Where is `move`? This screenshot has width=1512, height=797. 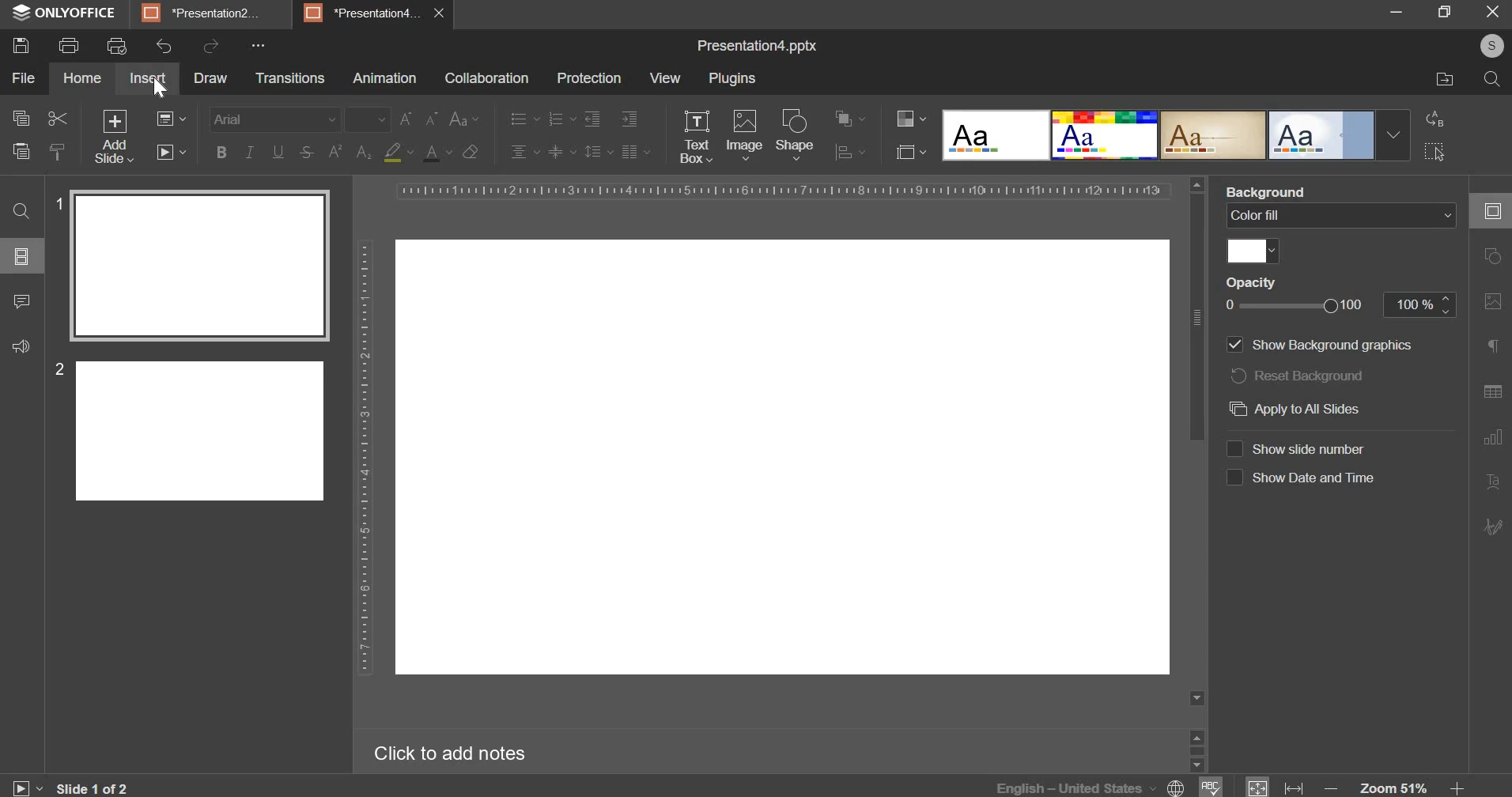
move is located at coordinates (1441, 81).